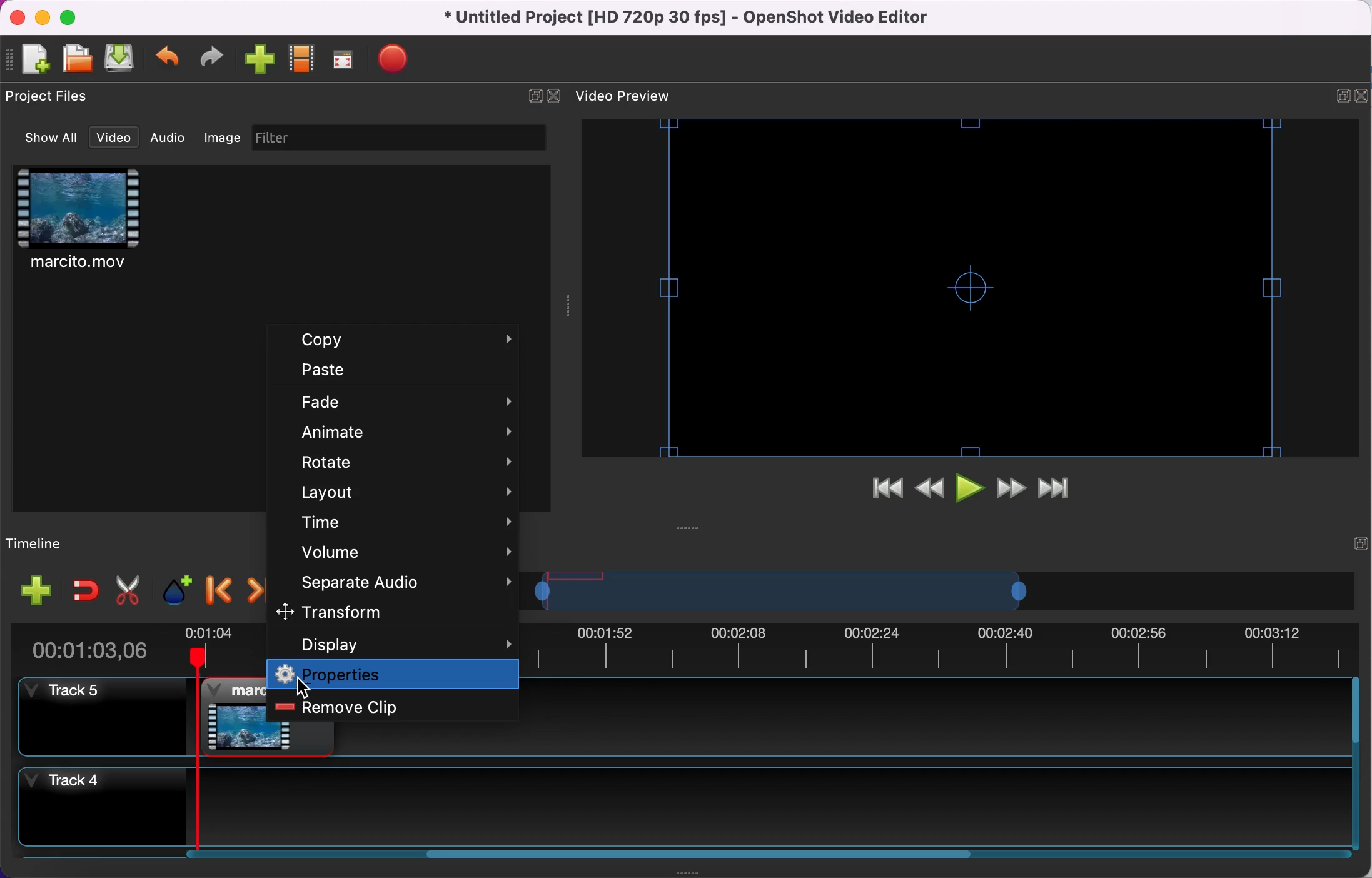 Image resolution: width=1372 pixels, height=878 pixels. I want to click on timeline, so click(882, 590).